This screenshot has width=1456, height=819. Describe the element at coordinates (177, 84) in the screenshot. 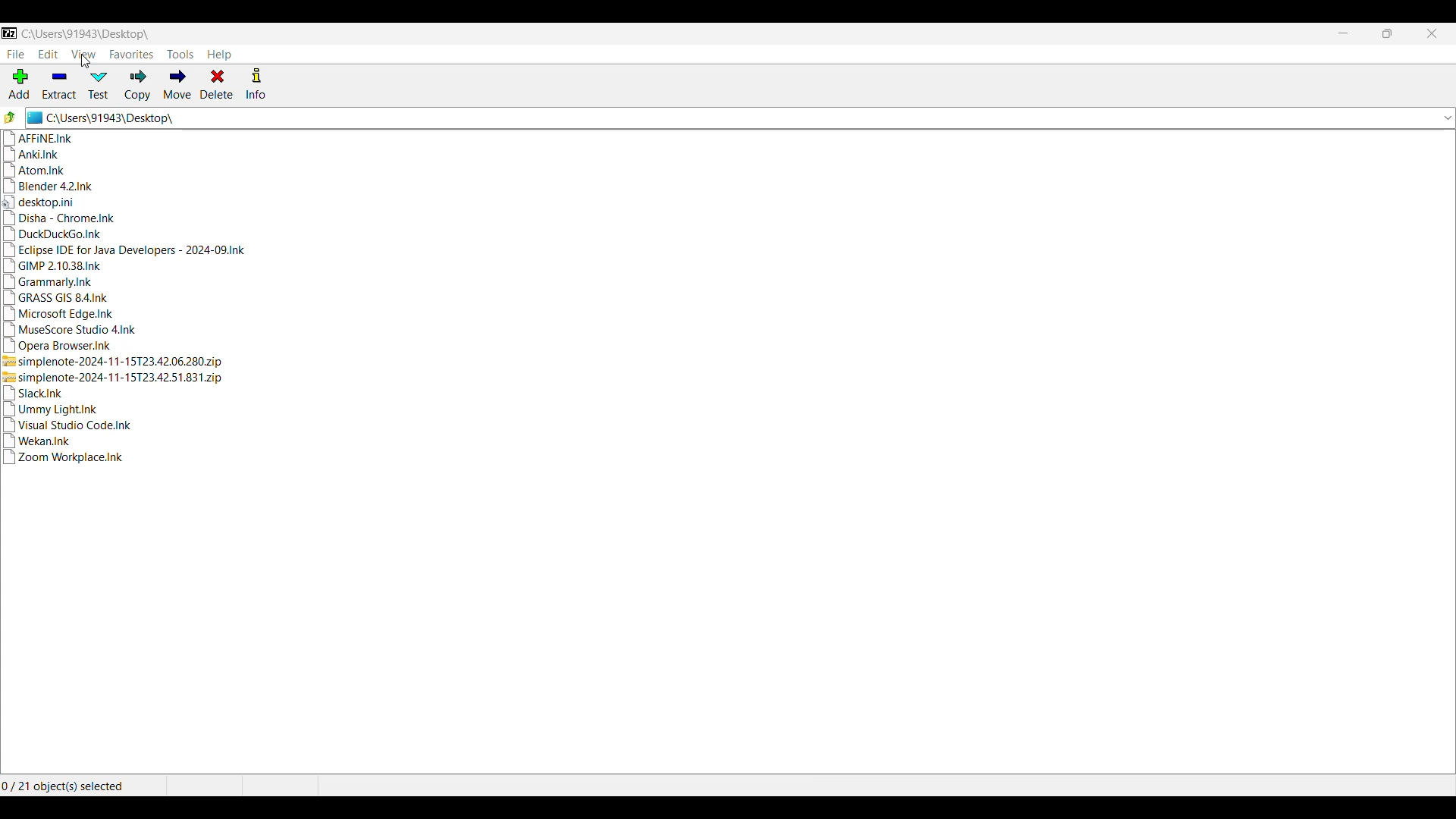

I see `Move` at that location.